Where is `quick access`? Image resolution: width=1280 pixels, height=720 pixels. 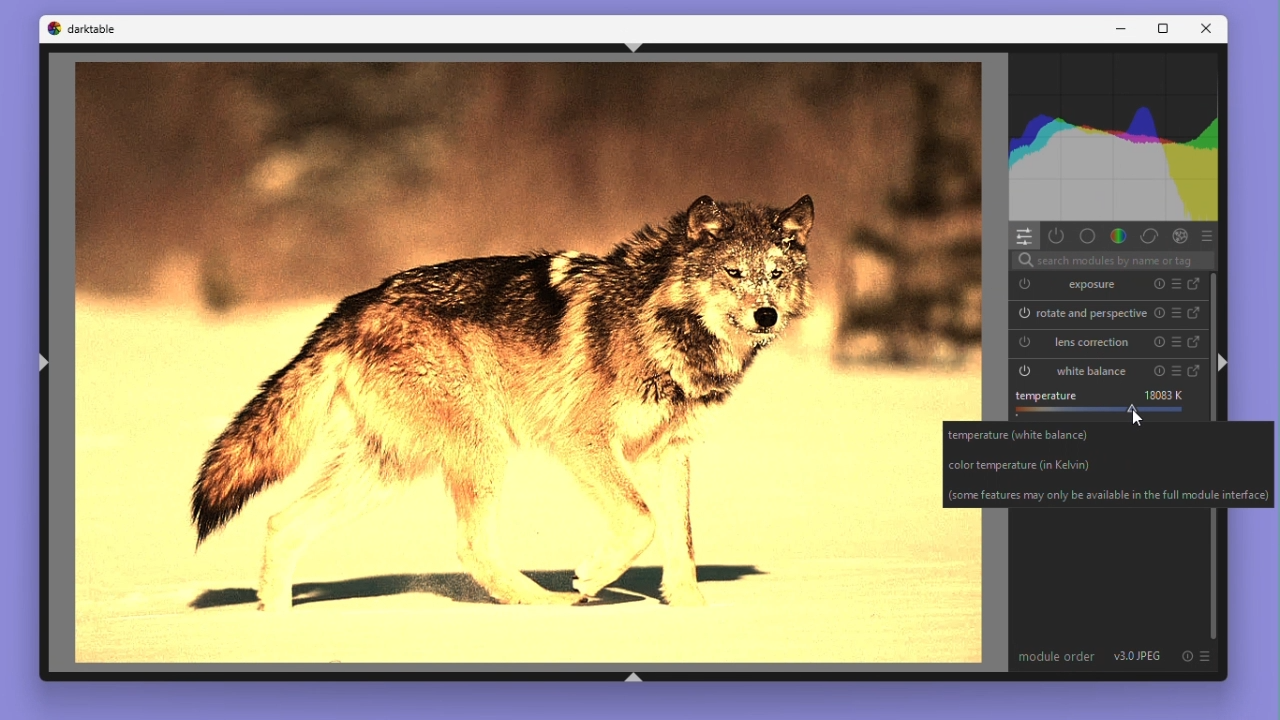 quick access is located at coordinates (1025, 235).